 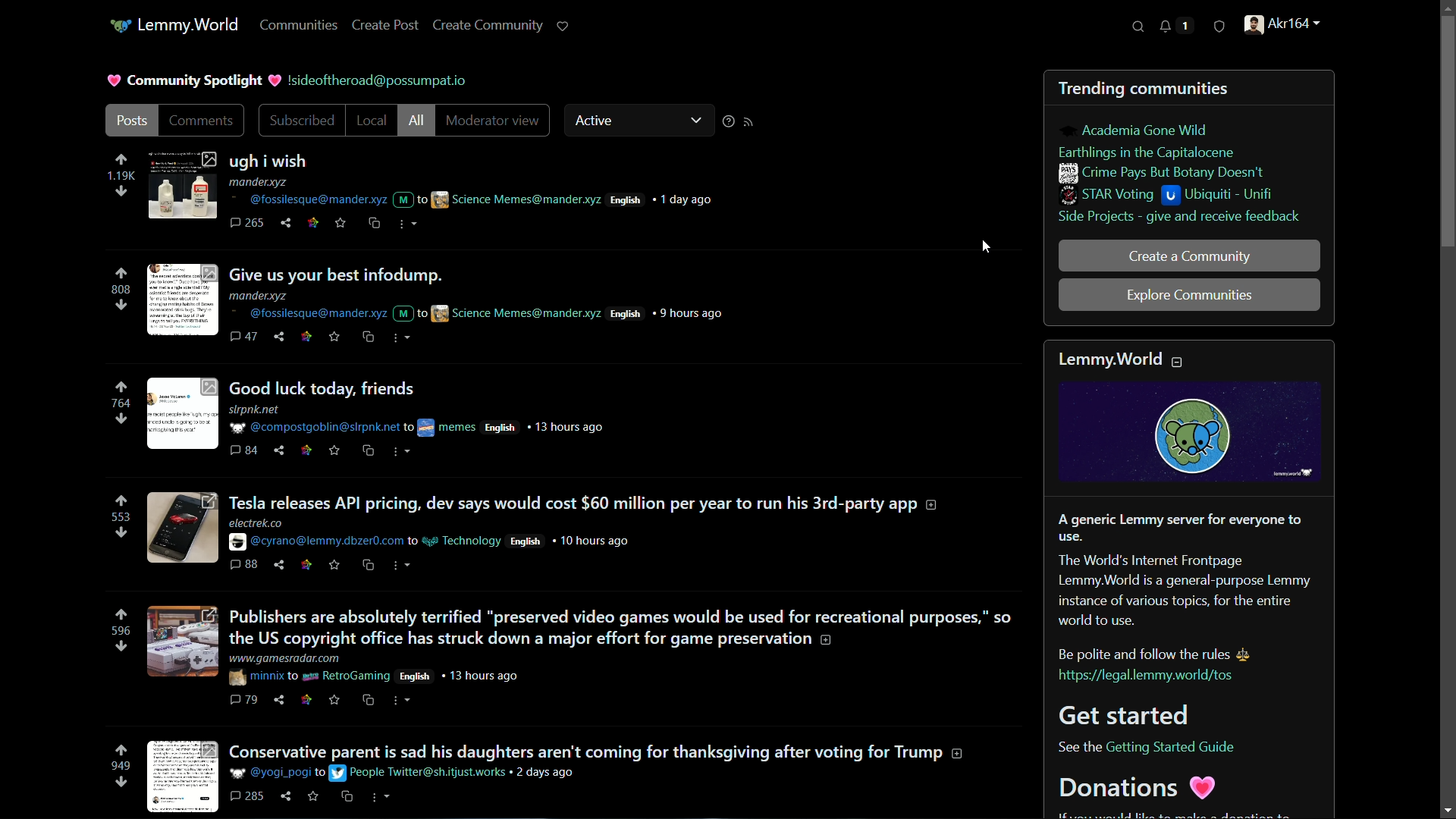 What do you see at coordinates (244, 451) in the screenshot?
I see `84 comments` at bounding box center [244, 451].